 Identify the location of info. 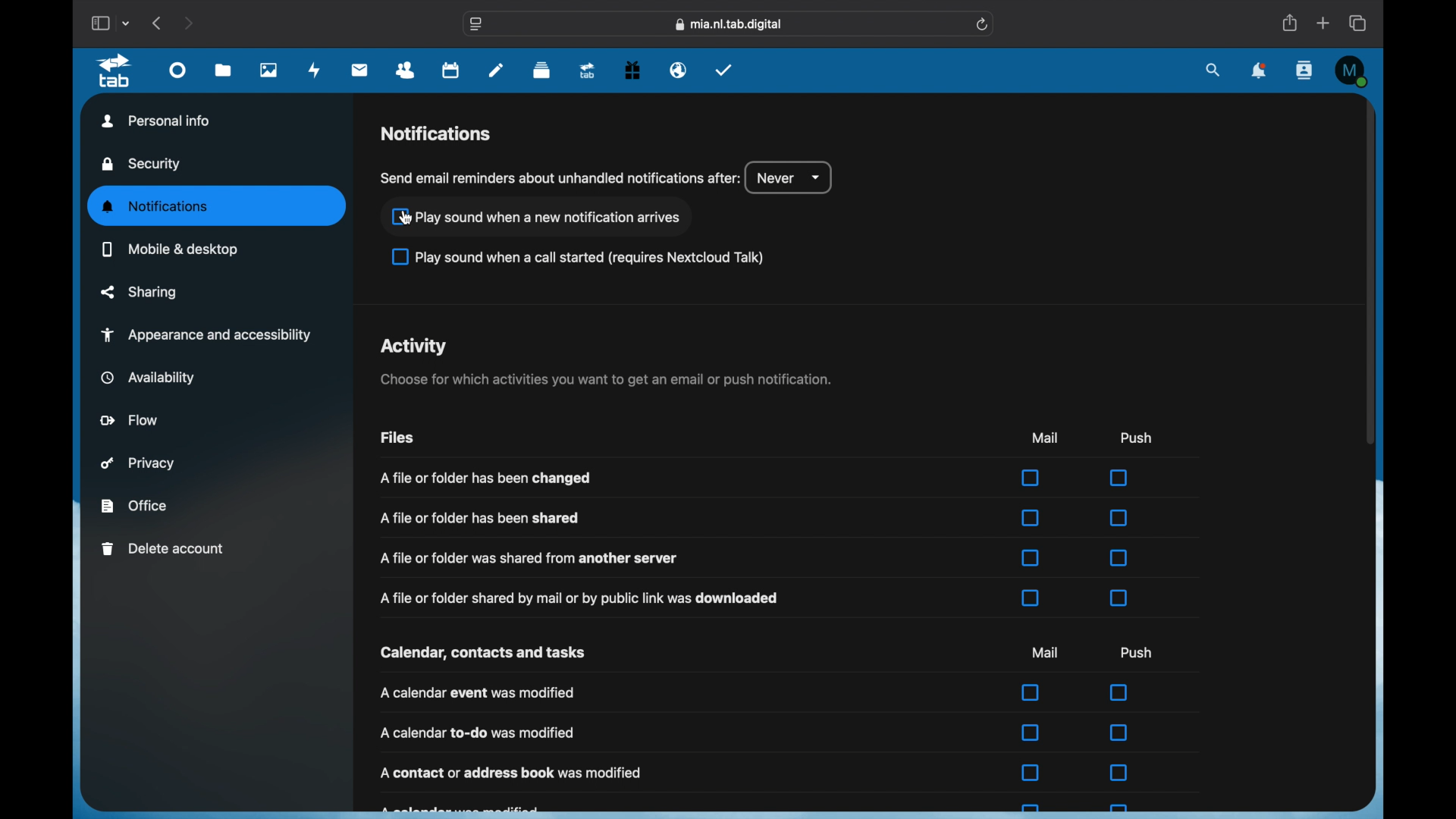
(606, 379).